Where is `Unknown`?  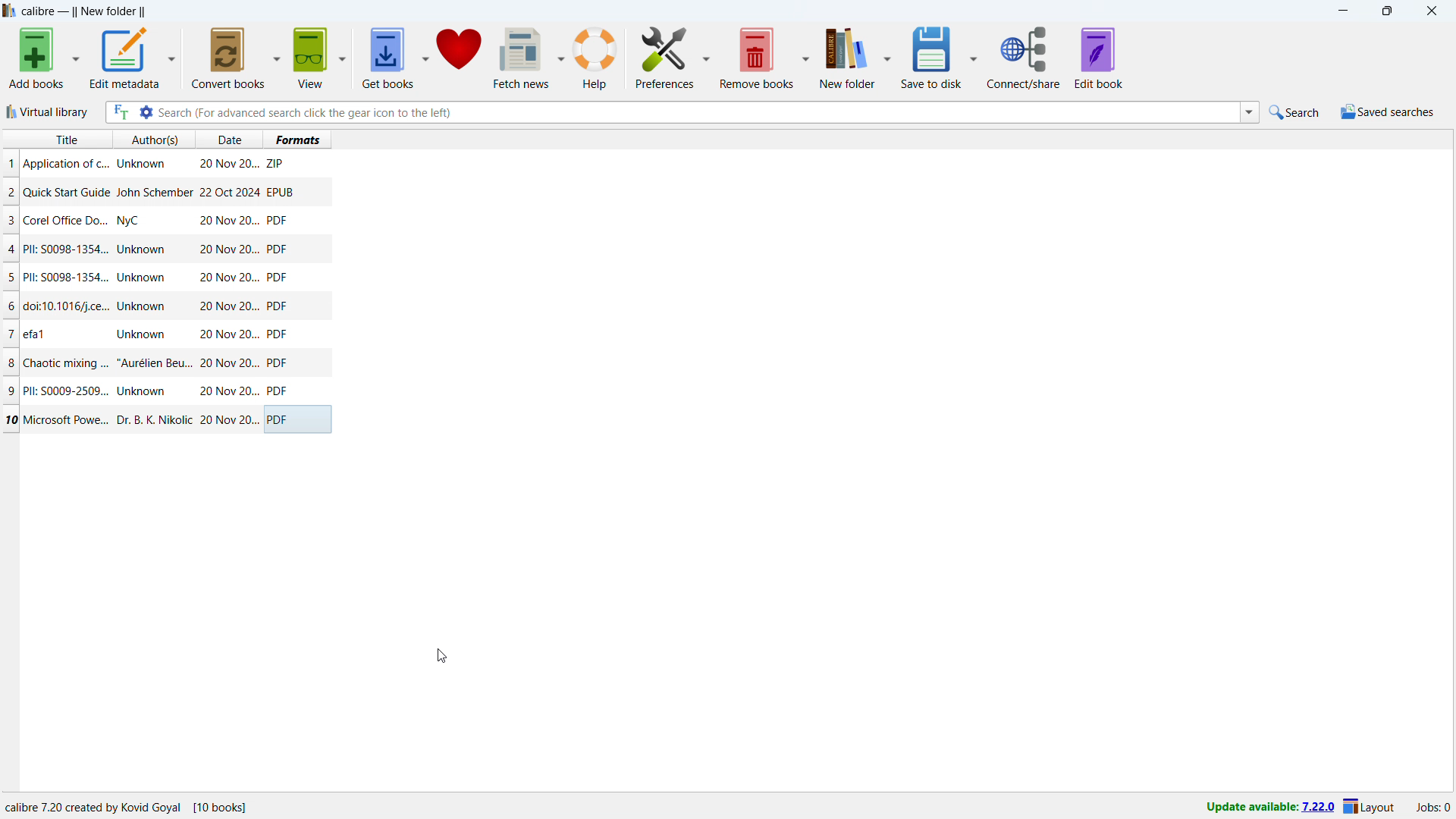 Unknown is located at coordinates (142, 335).